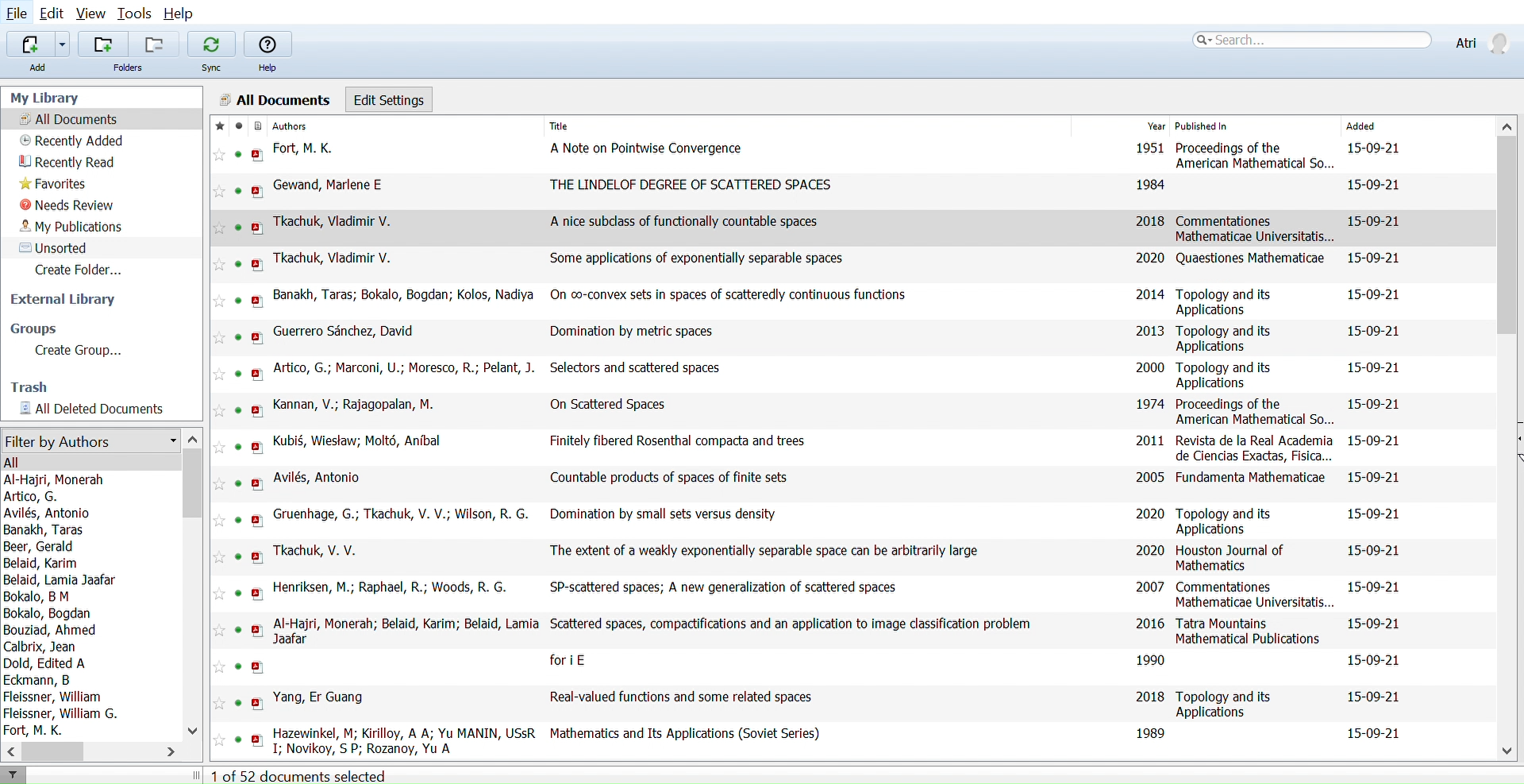  I want to click on Fort, M. K., so click(38, 730).